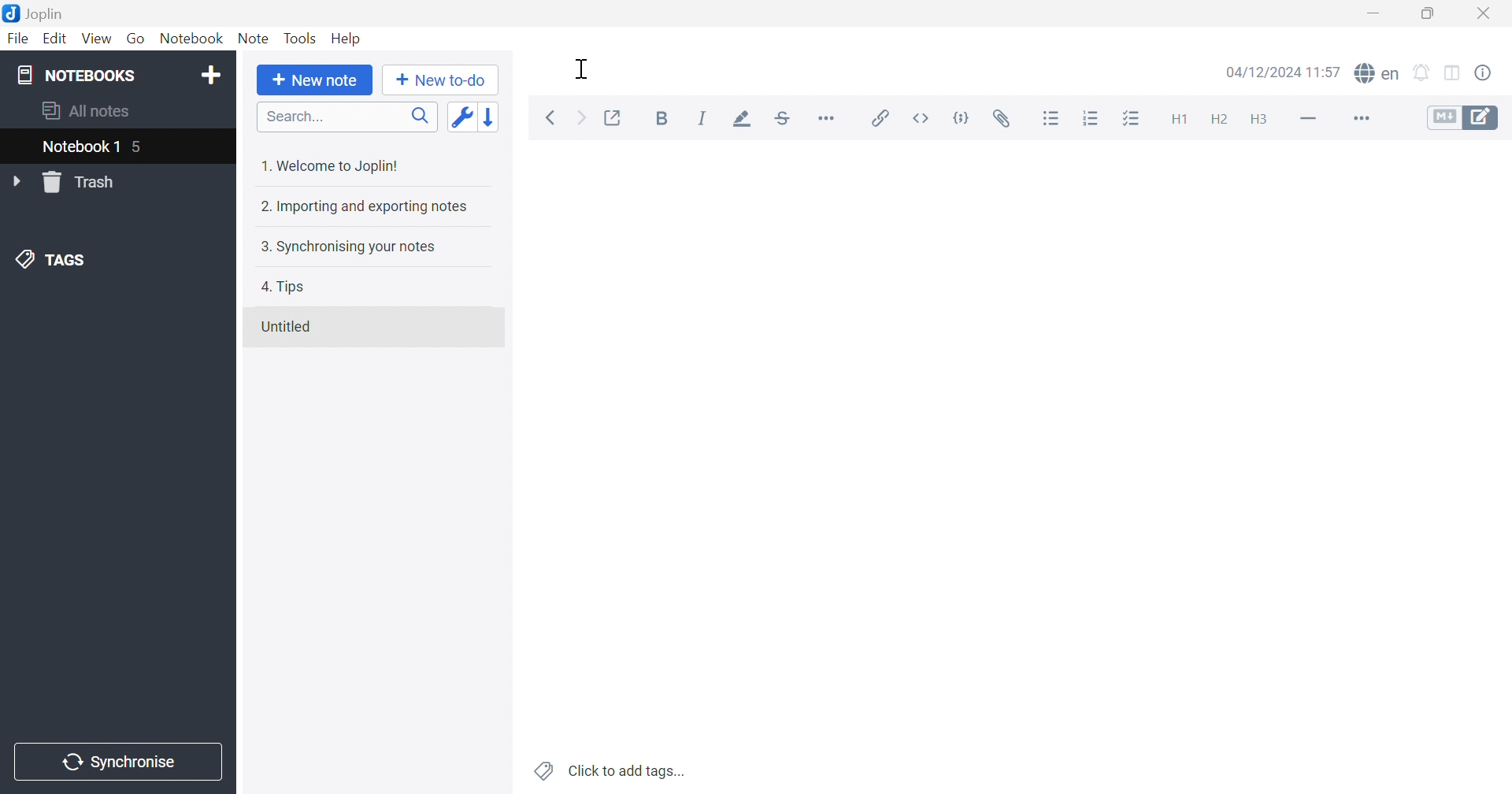  What do you see at coordinates (584, 119) in the screenshot?
I see `Forward` at bounding box center [584, 119].